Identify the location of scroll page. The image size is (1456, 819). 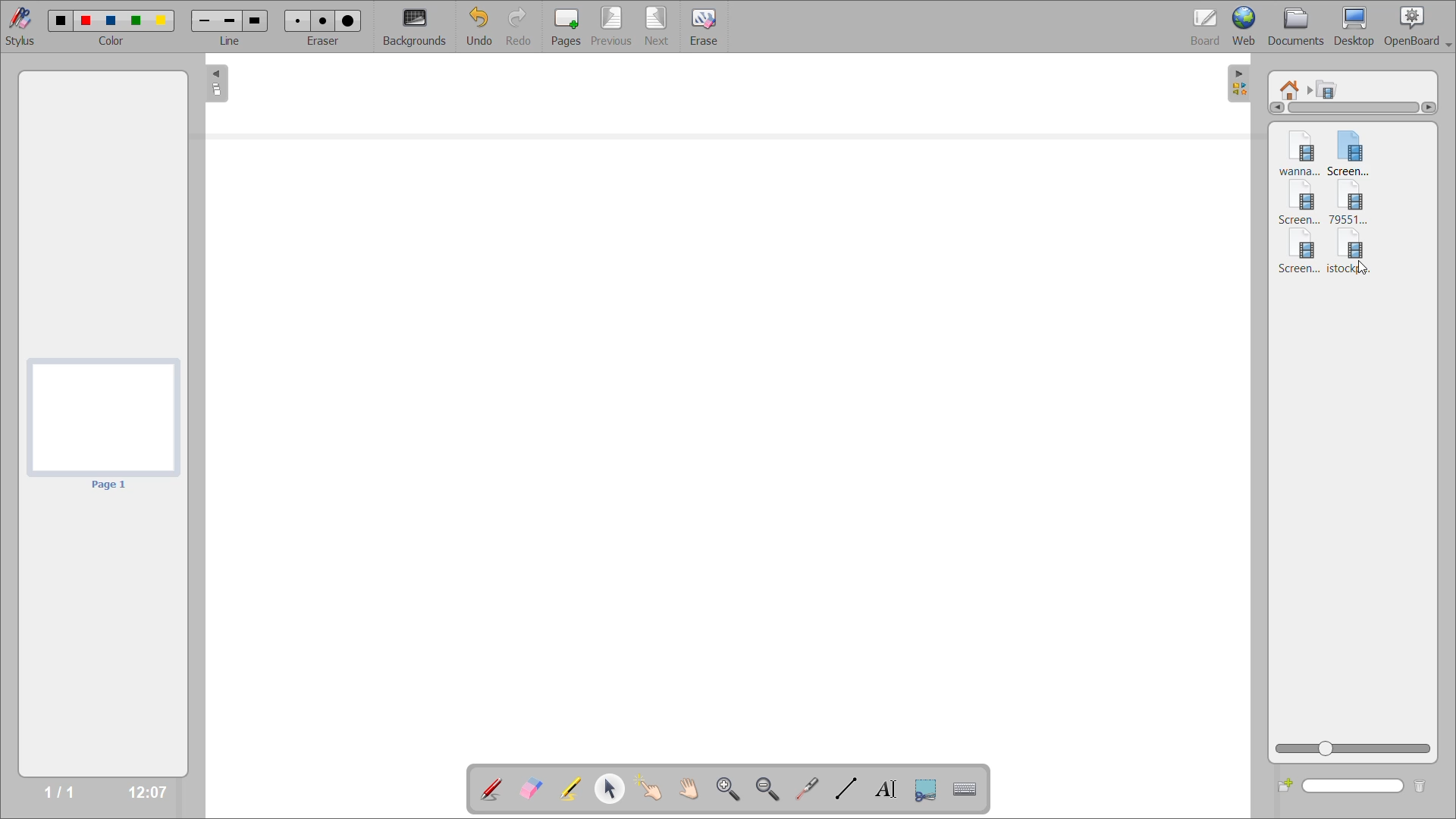
(687, 786).